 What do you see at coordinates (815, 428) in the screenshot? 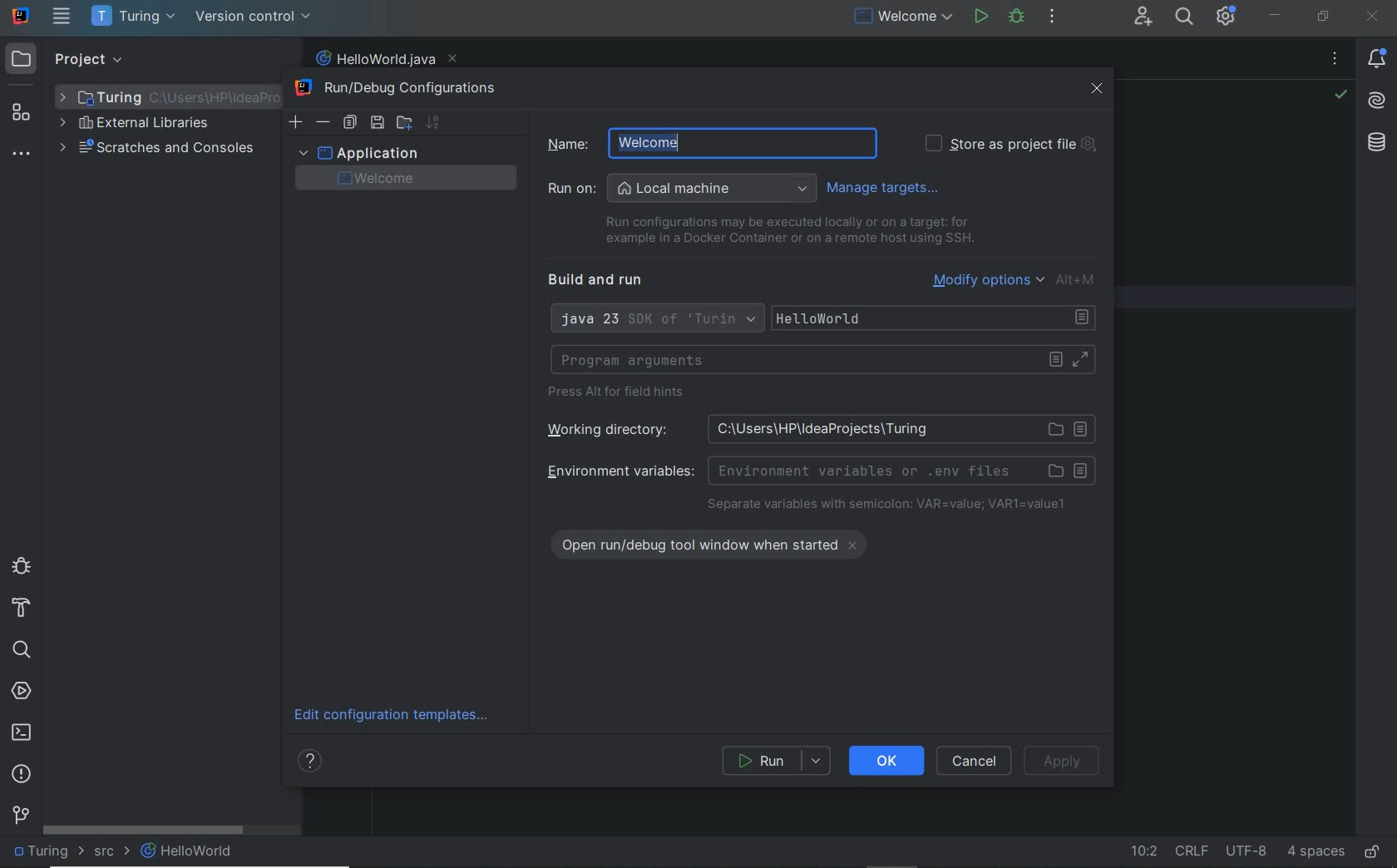
I see `Working directory` at bounding box center [815, 428].